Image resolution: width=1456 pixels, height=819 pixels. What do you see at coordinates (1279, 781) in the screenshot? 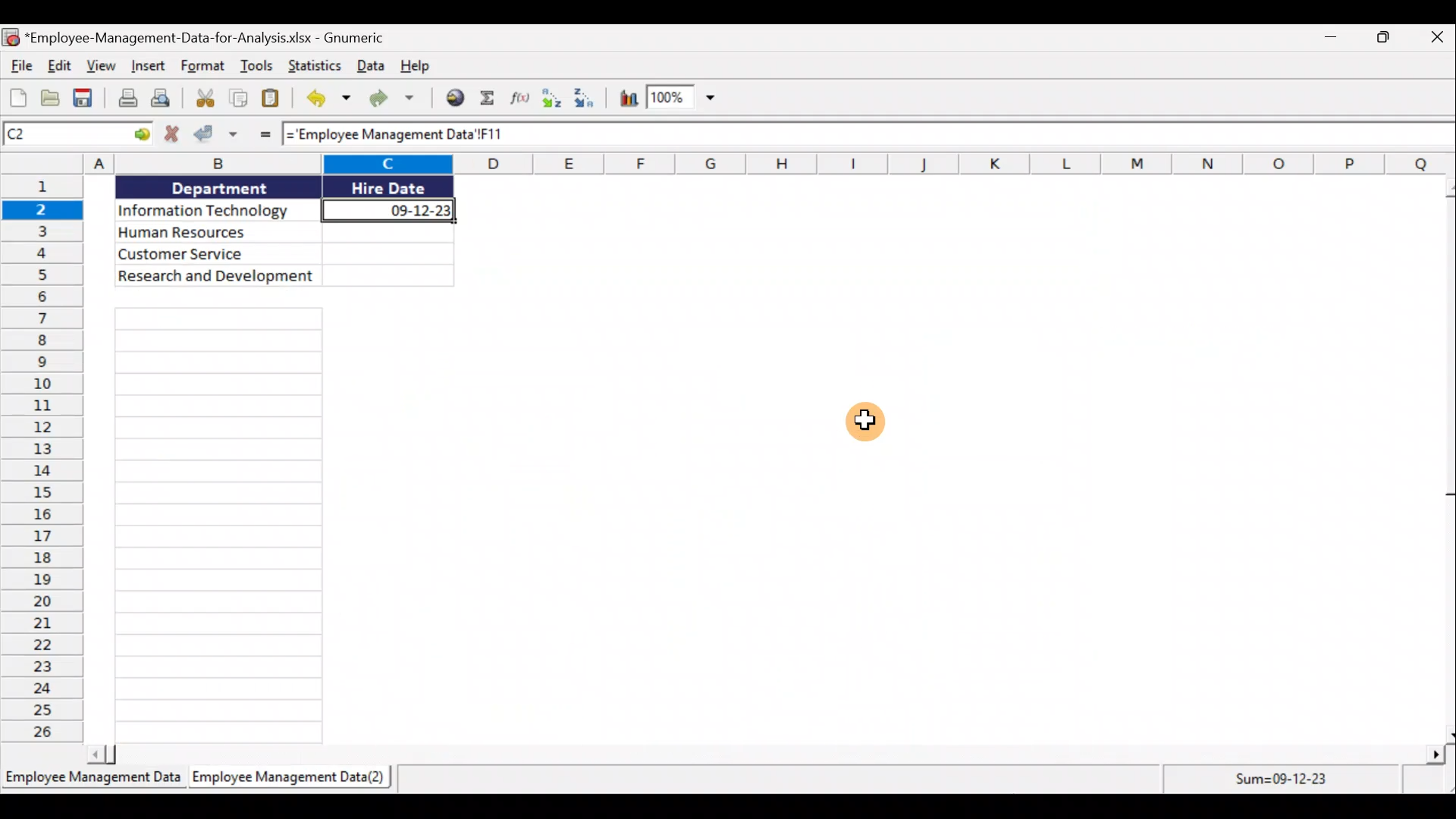
I see `Sum=09-12-23` at bounding box center [1279, 781].